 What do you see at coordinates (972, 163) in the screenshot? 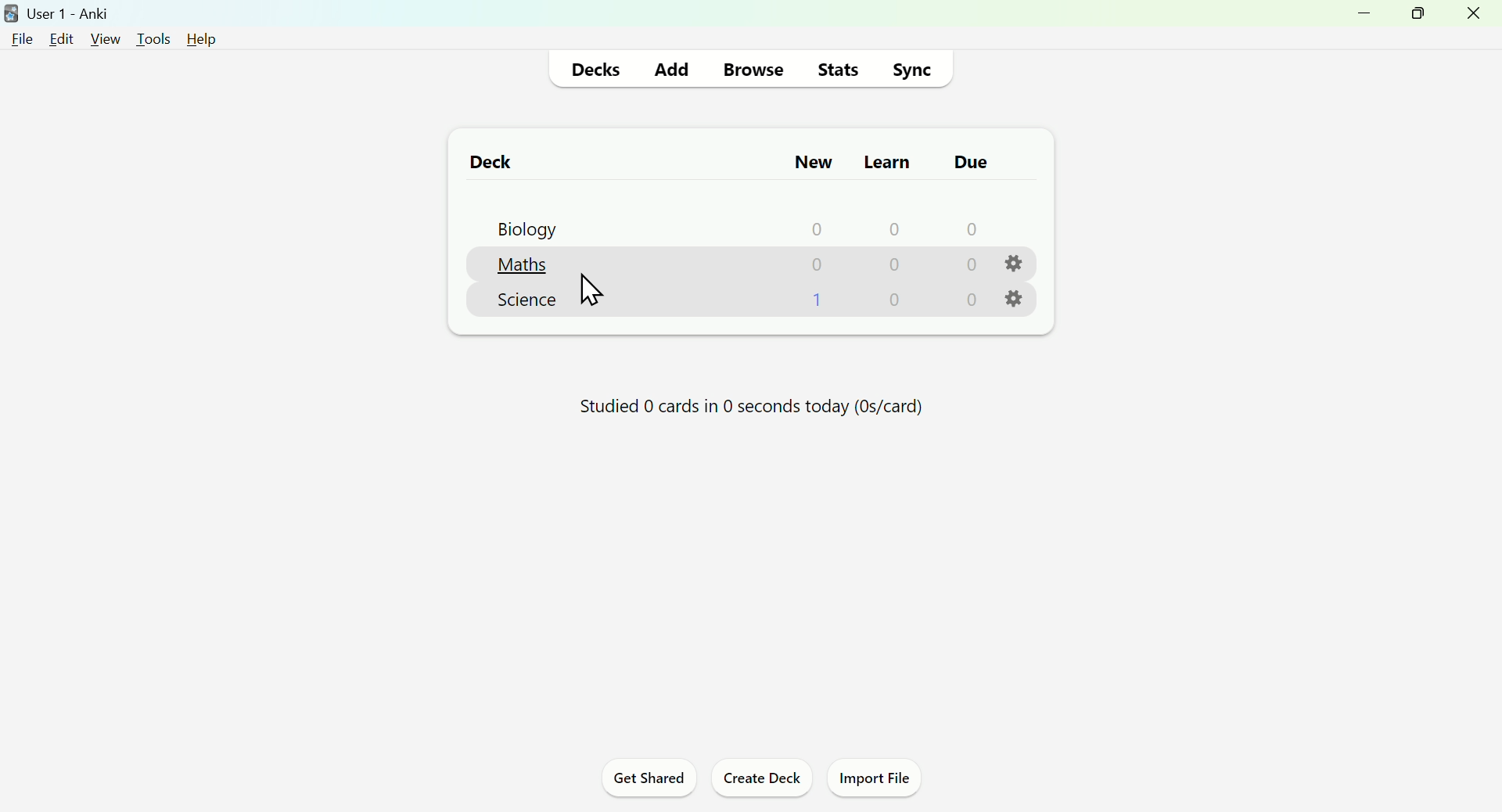
I see `due` at bounding box center [972, 163].